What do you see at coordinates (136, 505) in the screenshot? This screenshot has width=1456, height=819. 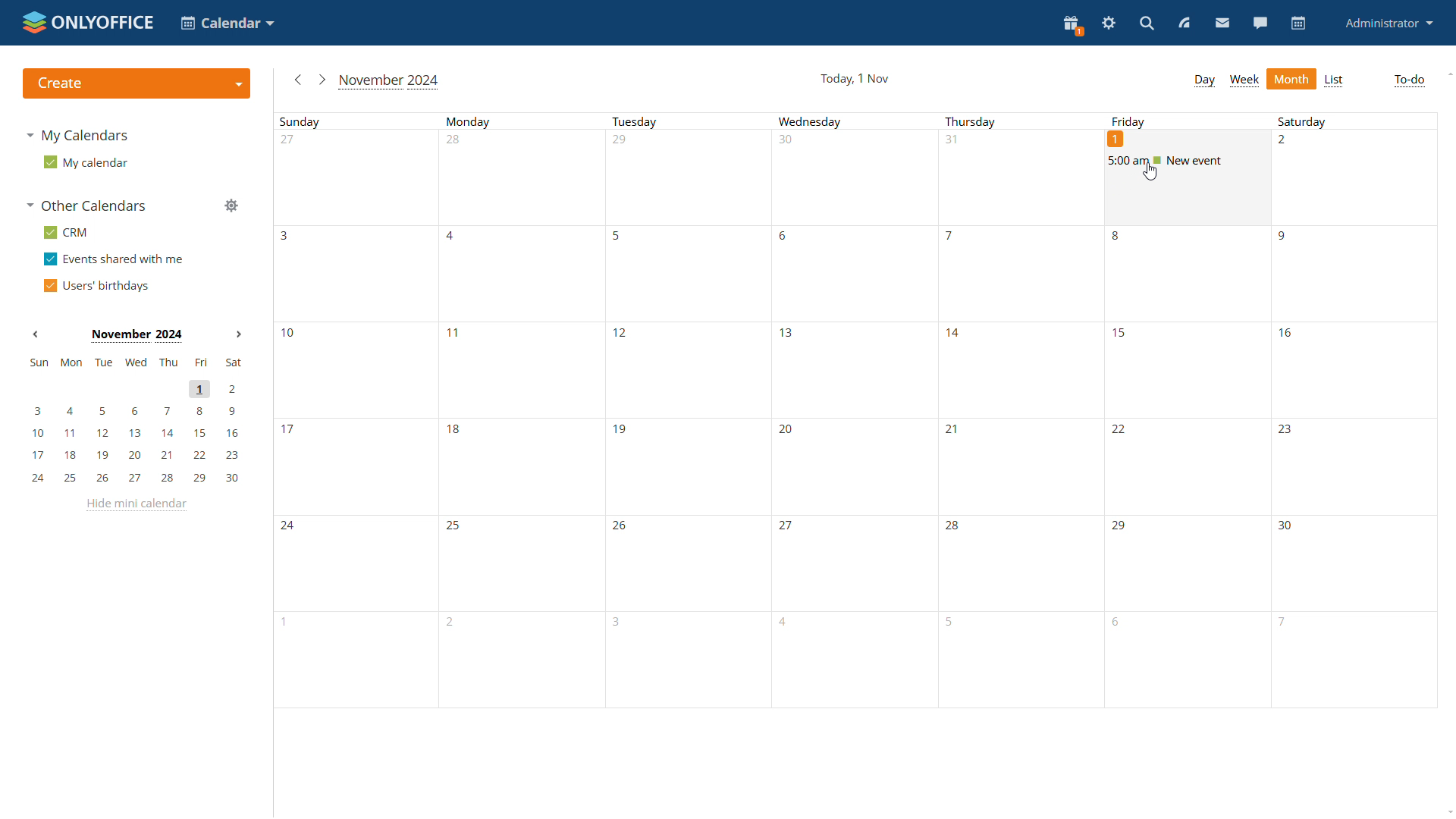 I see `hide mini calendar` at bounding box center [136, 505].